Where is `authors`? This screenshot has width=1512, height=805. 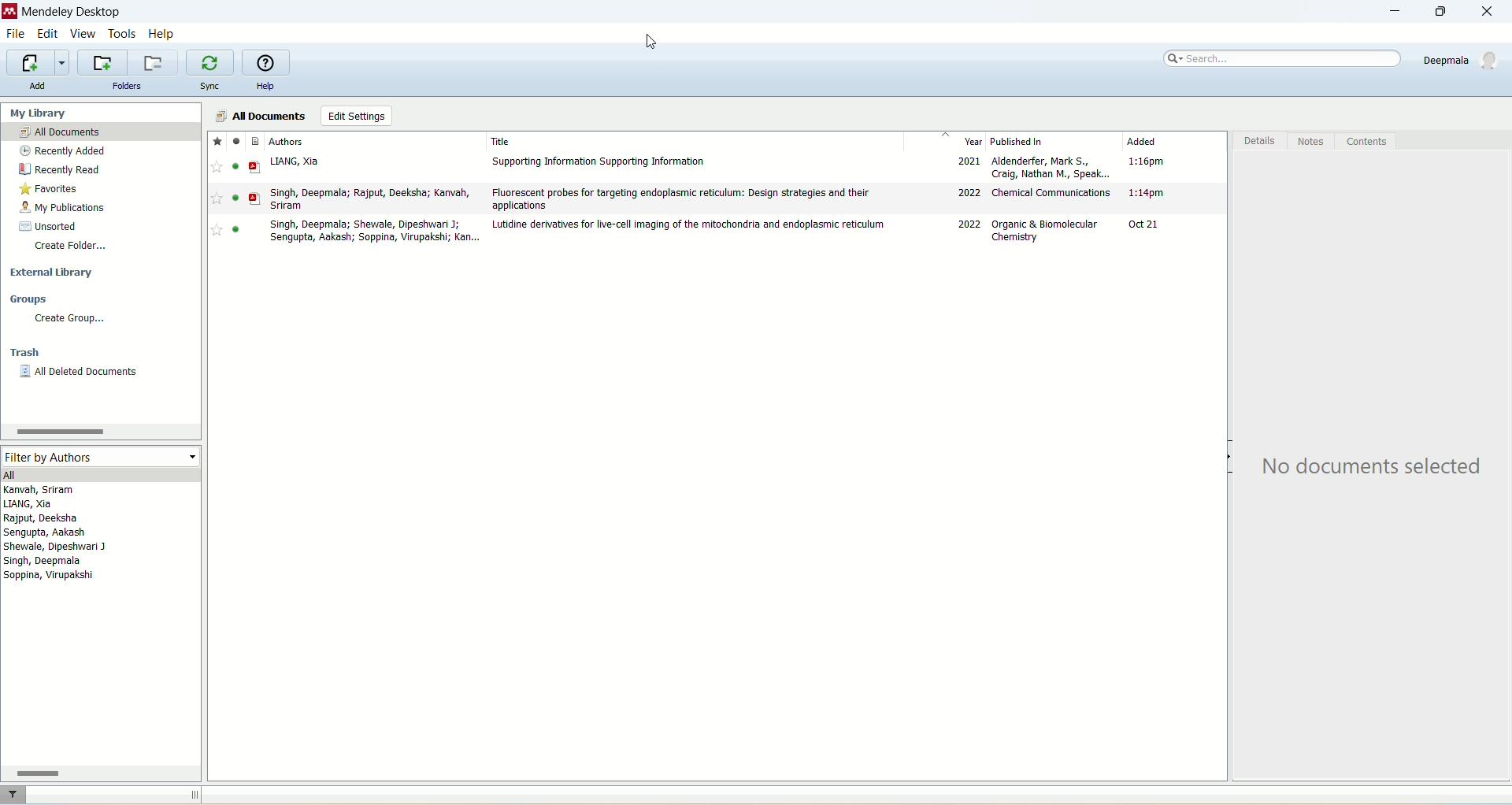
authors is located at coordinates (375, 140).